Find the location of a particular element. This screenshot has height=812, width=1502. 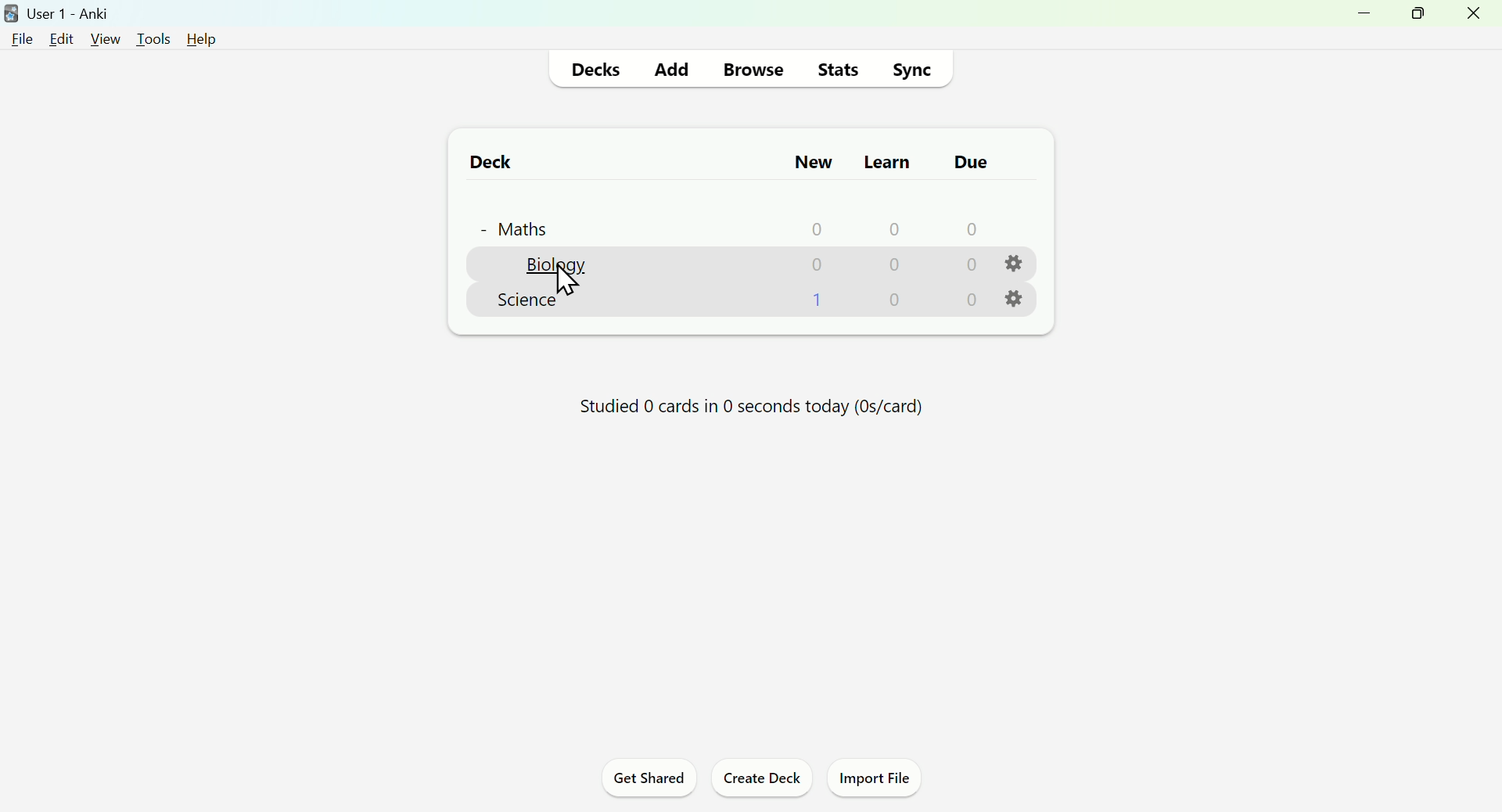

0 is located at coordinates (897, 266).